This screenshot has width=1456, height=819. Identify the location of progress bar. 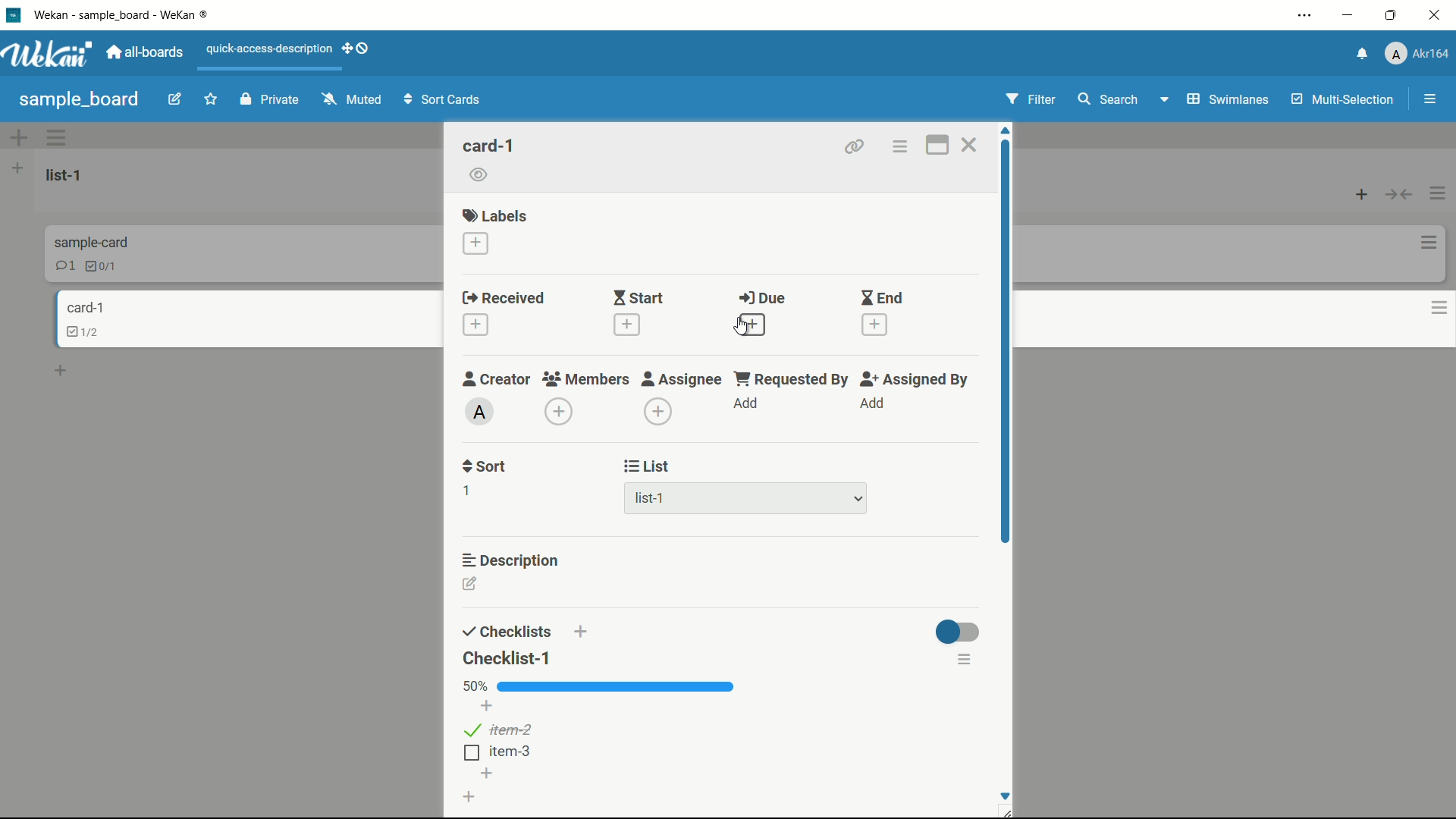
(618, 688).